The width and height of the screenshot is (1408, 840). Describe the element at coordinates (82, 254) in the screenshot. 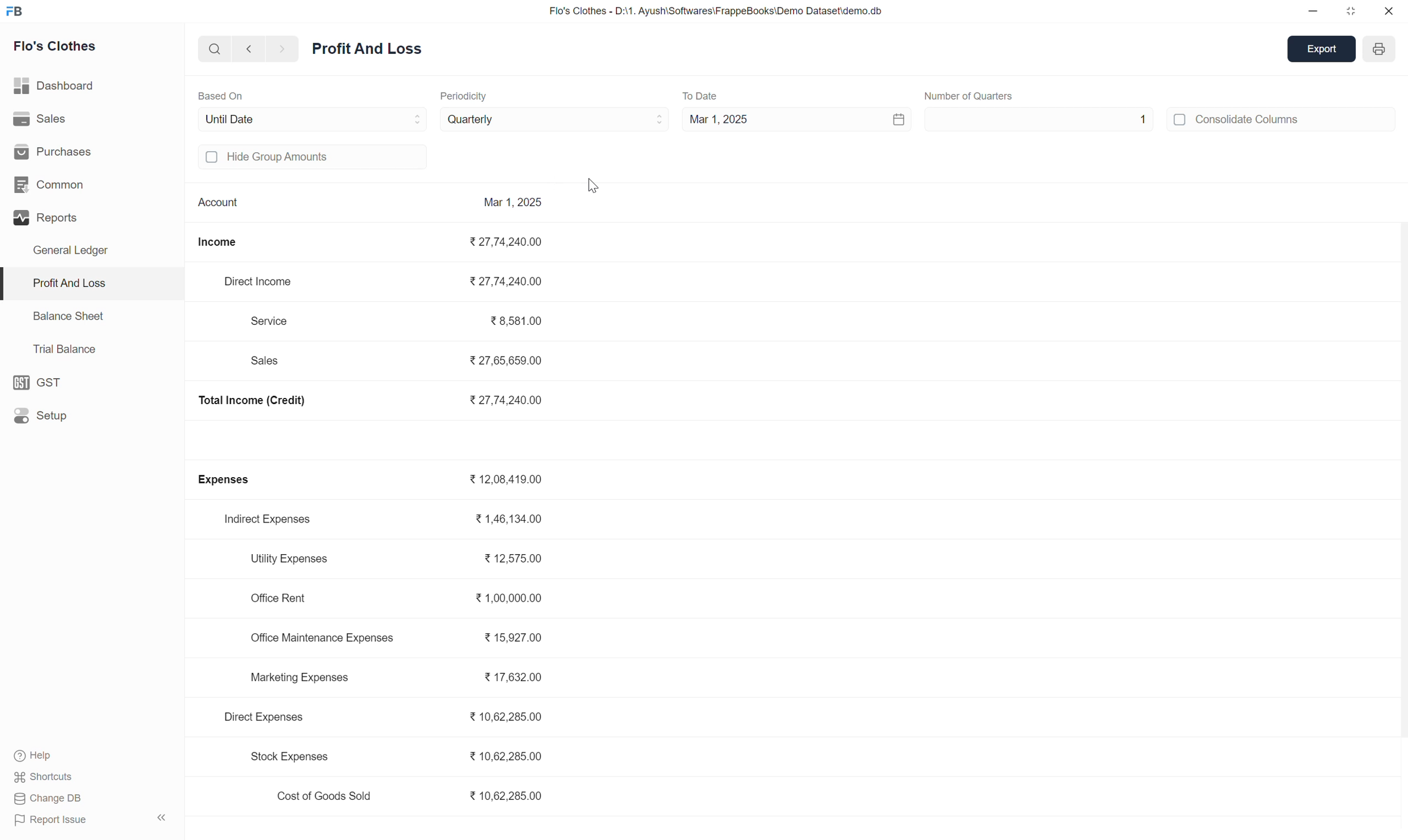

I see `General Ledger` at that location.